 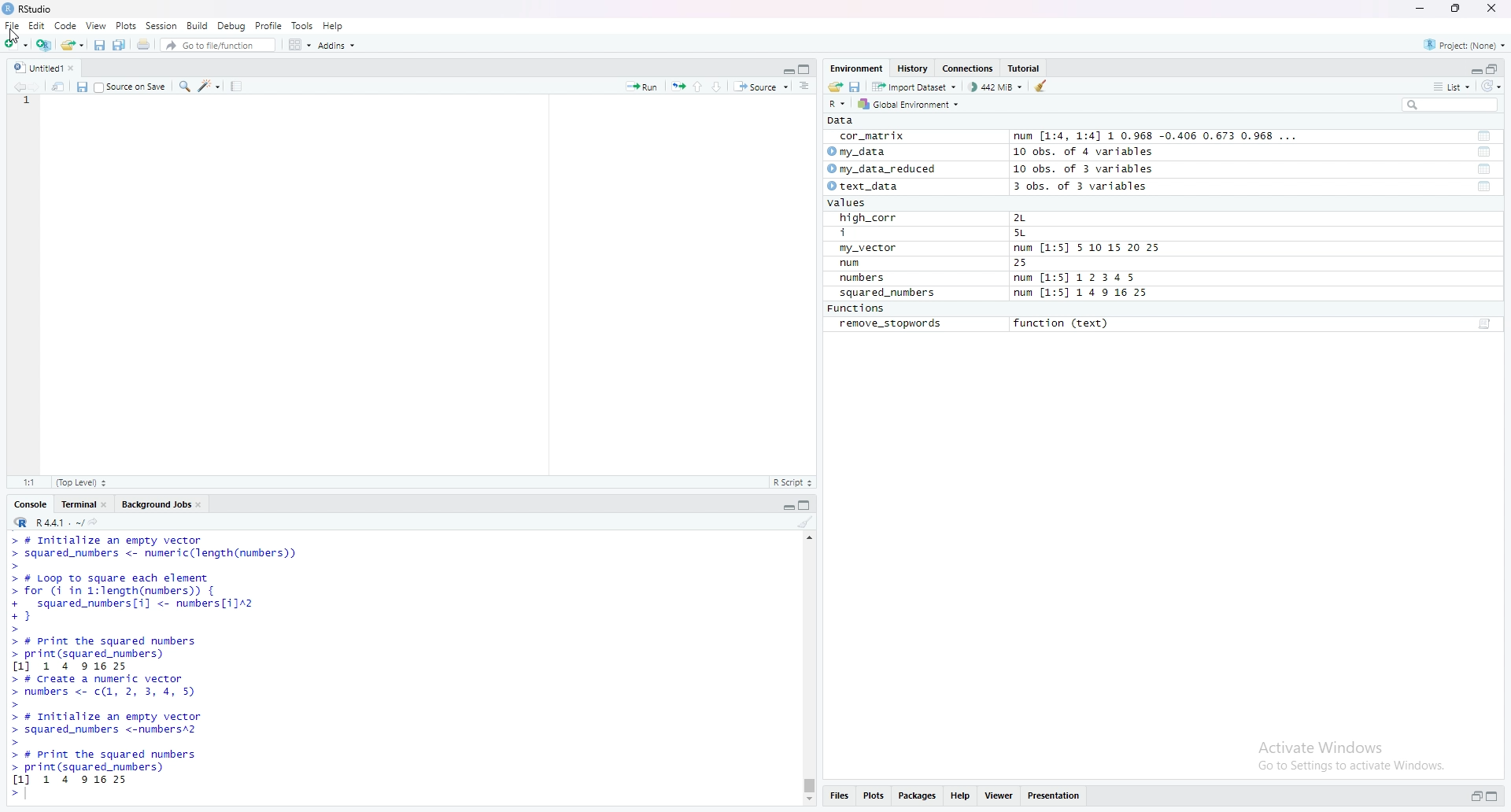 I want to click on Maximize, so click(x=1457, y=8).